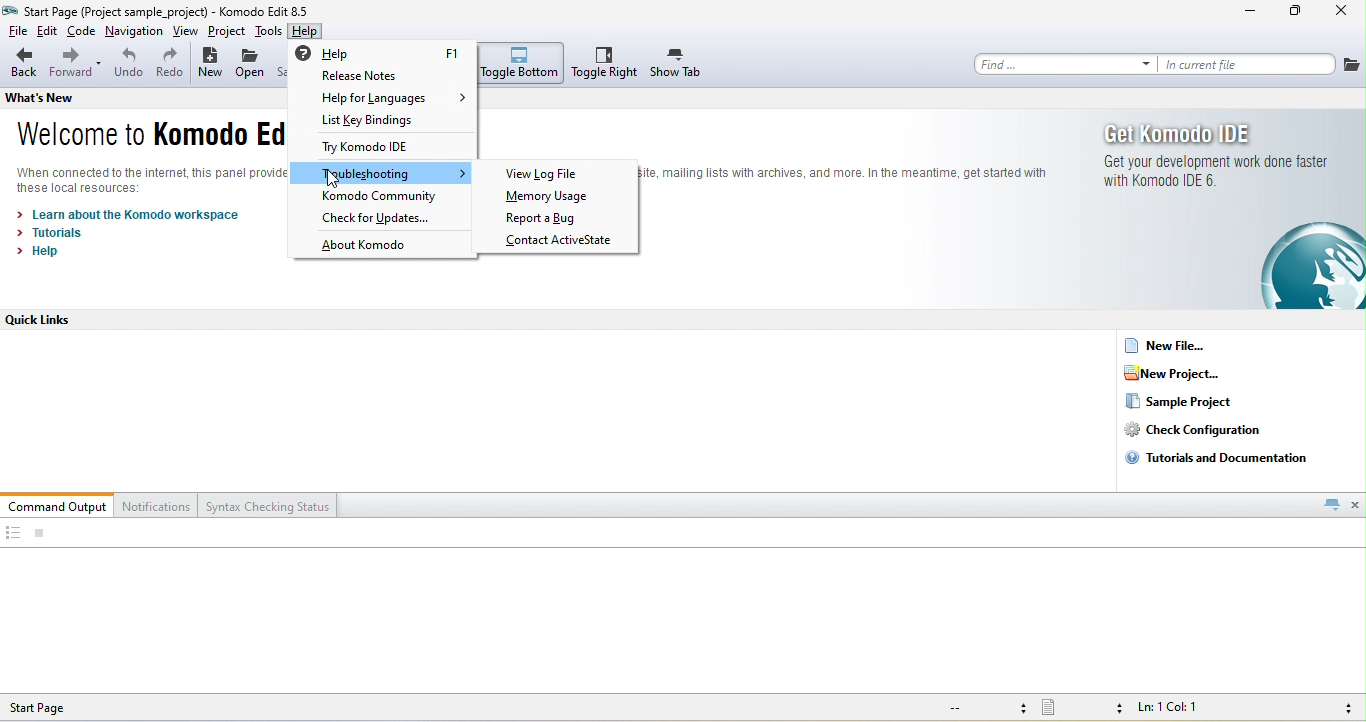 This screenshot has height=722, width=1366. I want to click on list key bindings, so click(388, 121).